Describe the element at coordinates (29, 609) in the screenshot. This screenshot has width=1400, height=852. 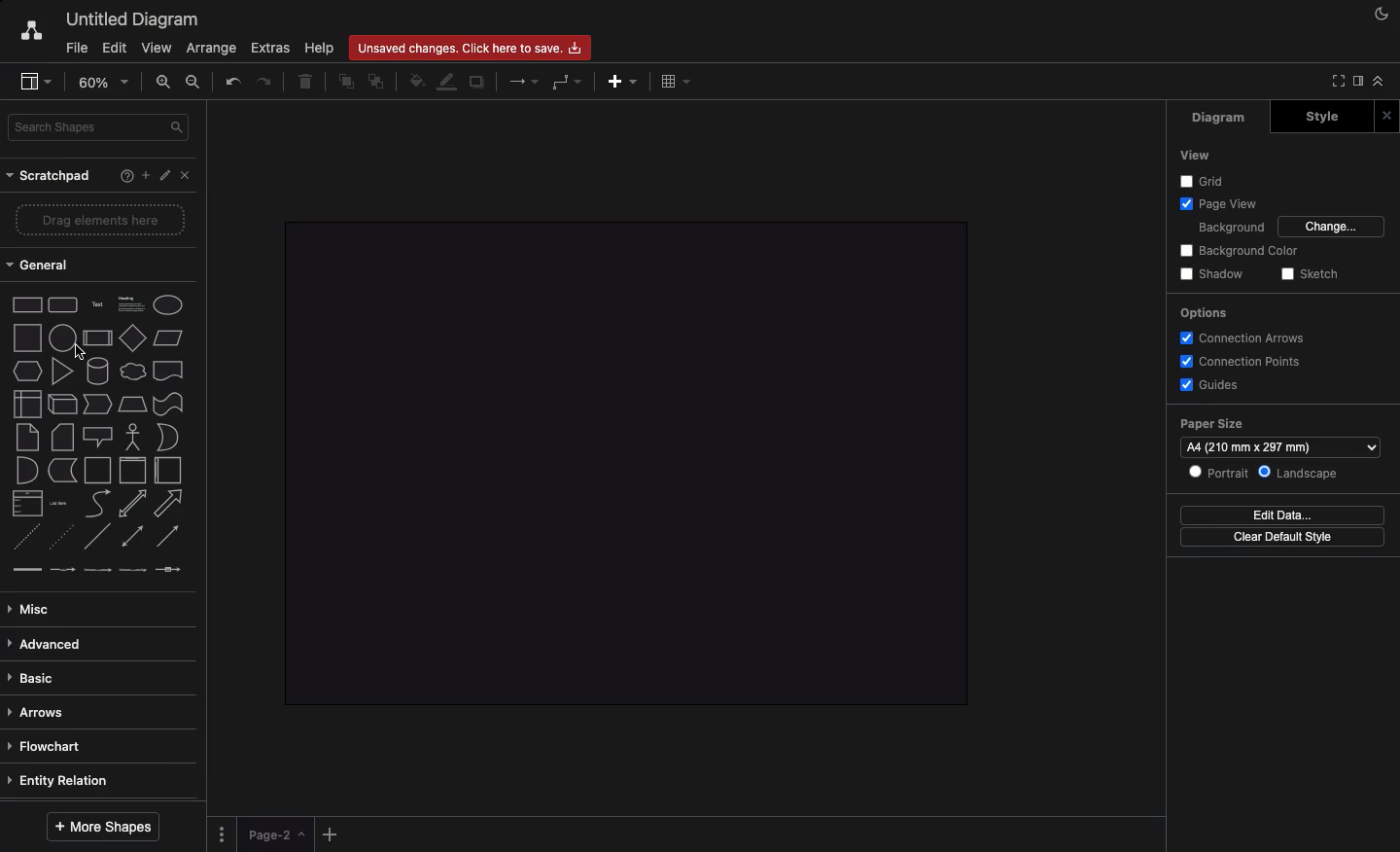
I see `Misc` at that location.